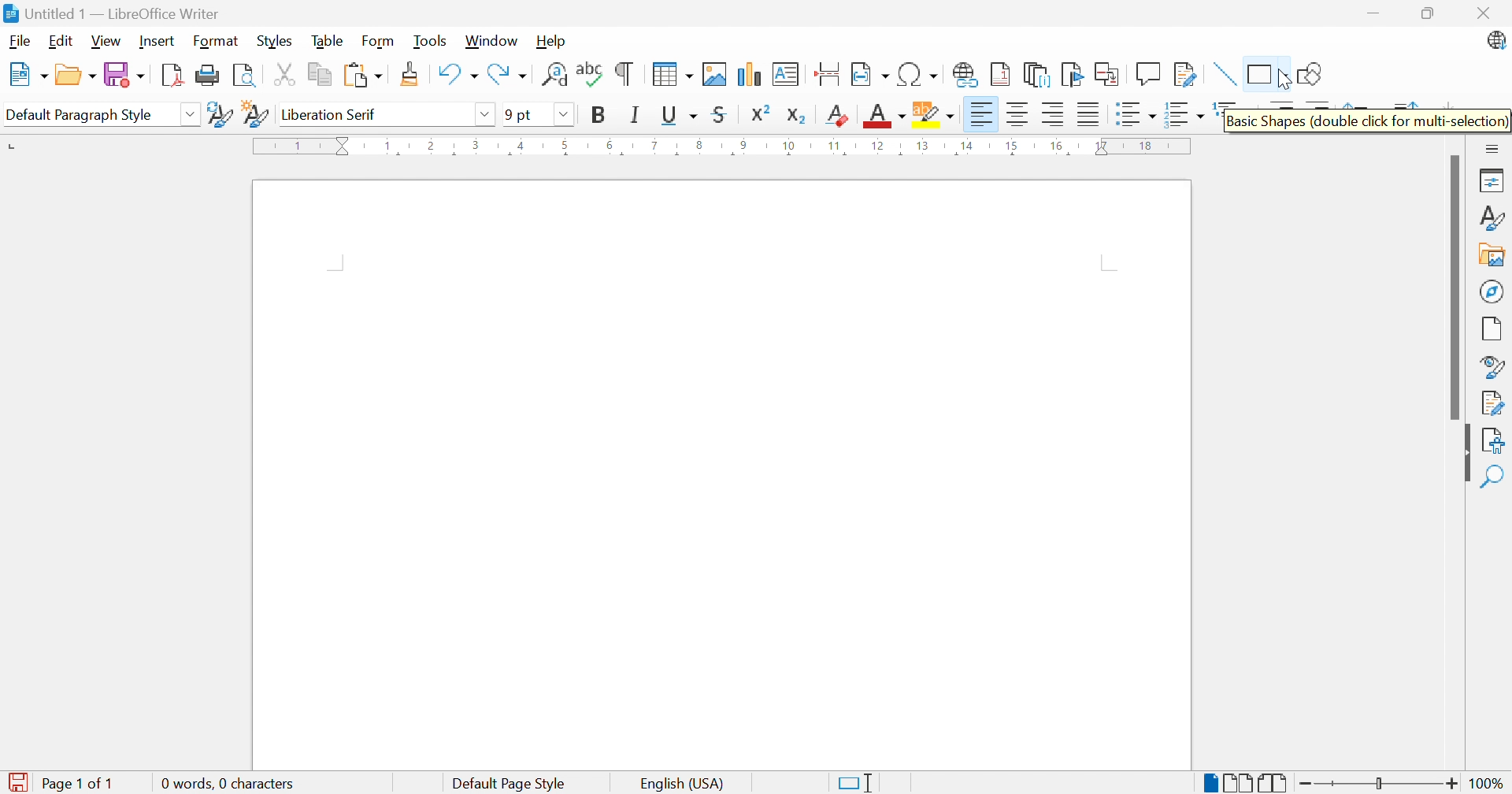  Describe the element at coordinates (1001, 72) in the screenshot. I see `Insert footnote` at that location.